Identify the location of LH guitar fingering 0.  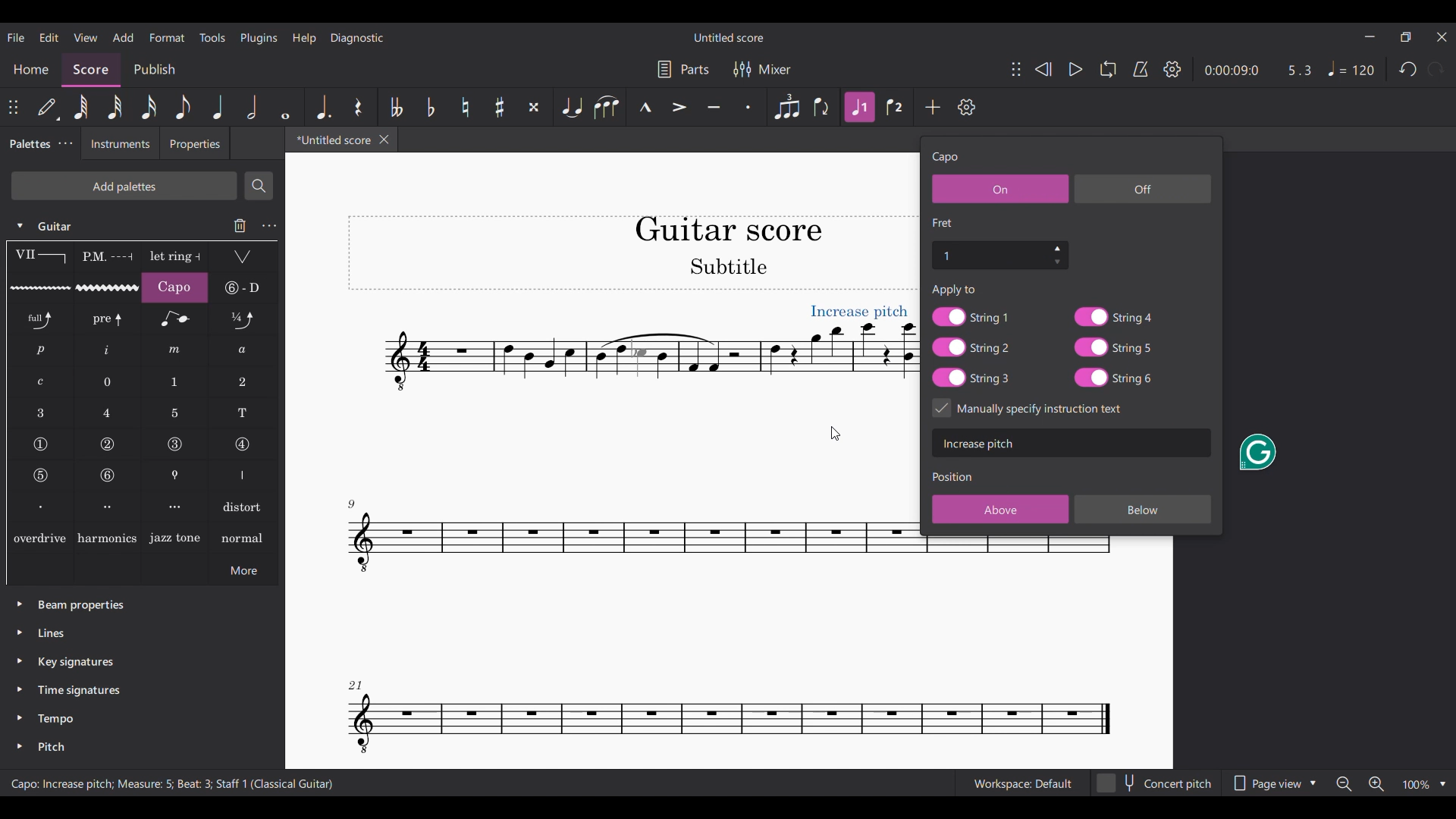
(108, 381).